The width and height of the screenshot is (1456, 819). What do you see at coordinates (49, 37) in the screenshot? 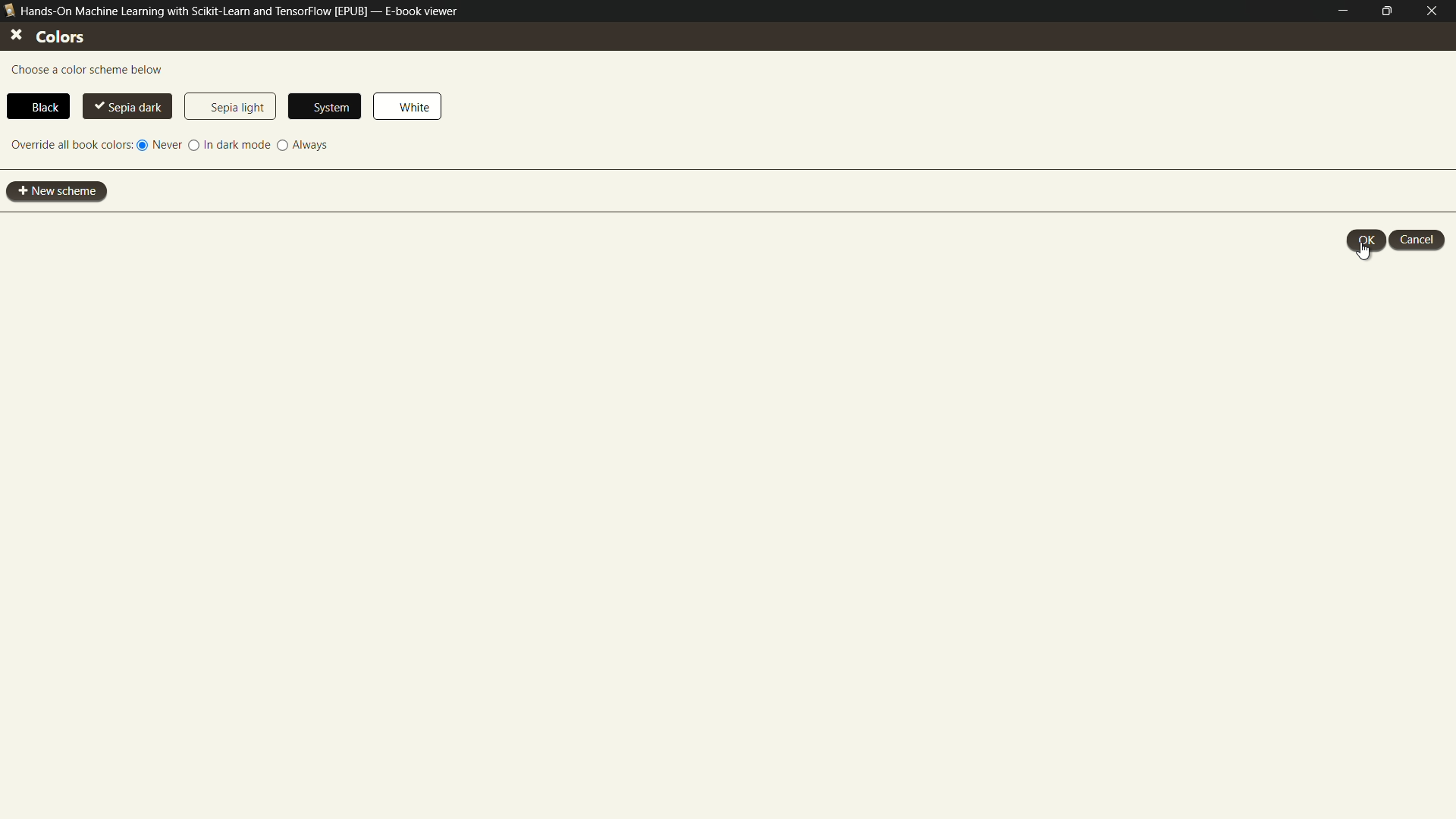
I see `colors` at bounding box center [49, 37].